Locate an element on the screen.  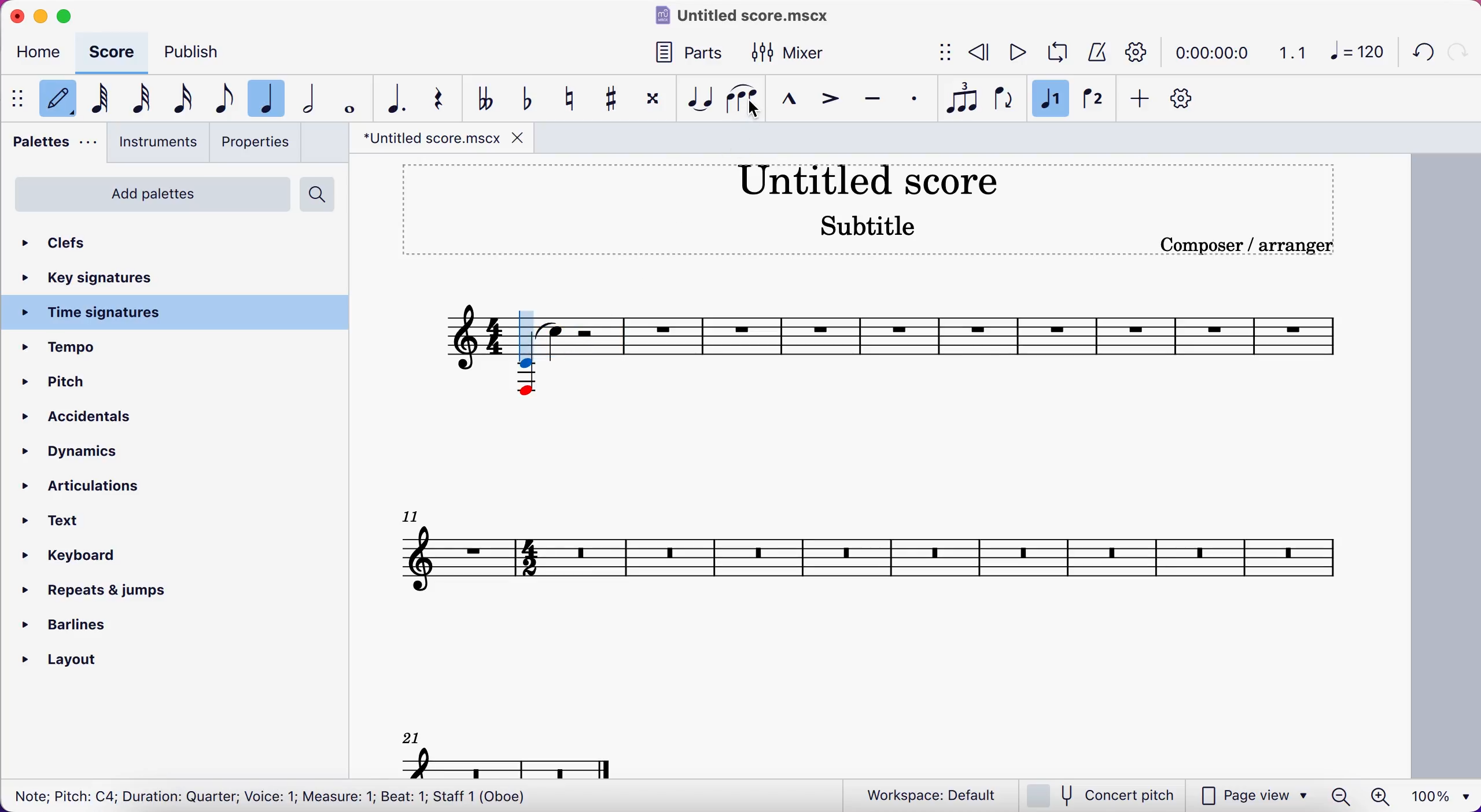
loop playback is located at coordinates (1053, 53).